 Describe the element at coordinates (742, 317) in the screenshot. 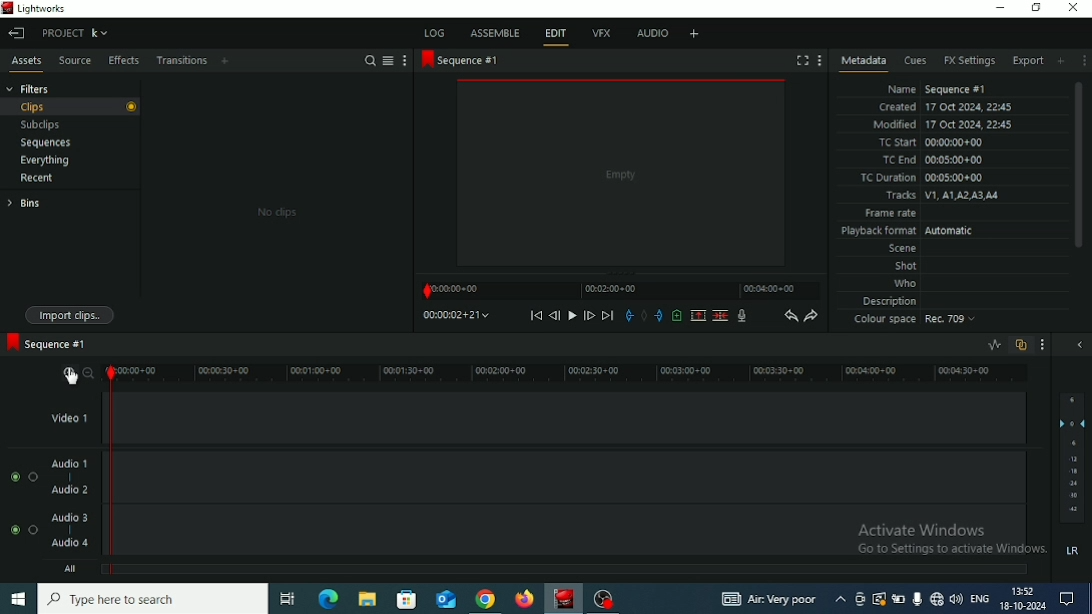

I see `Record a voice-over` at that location.